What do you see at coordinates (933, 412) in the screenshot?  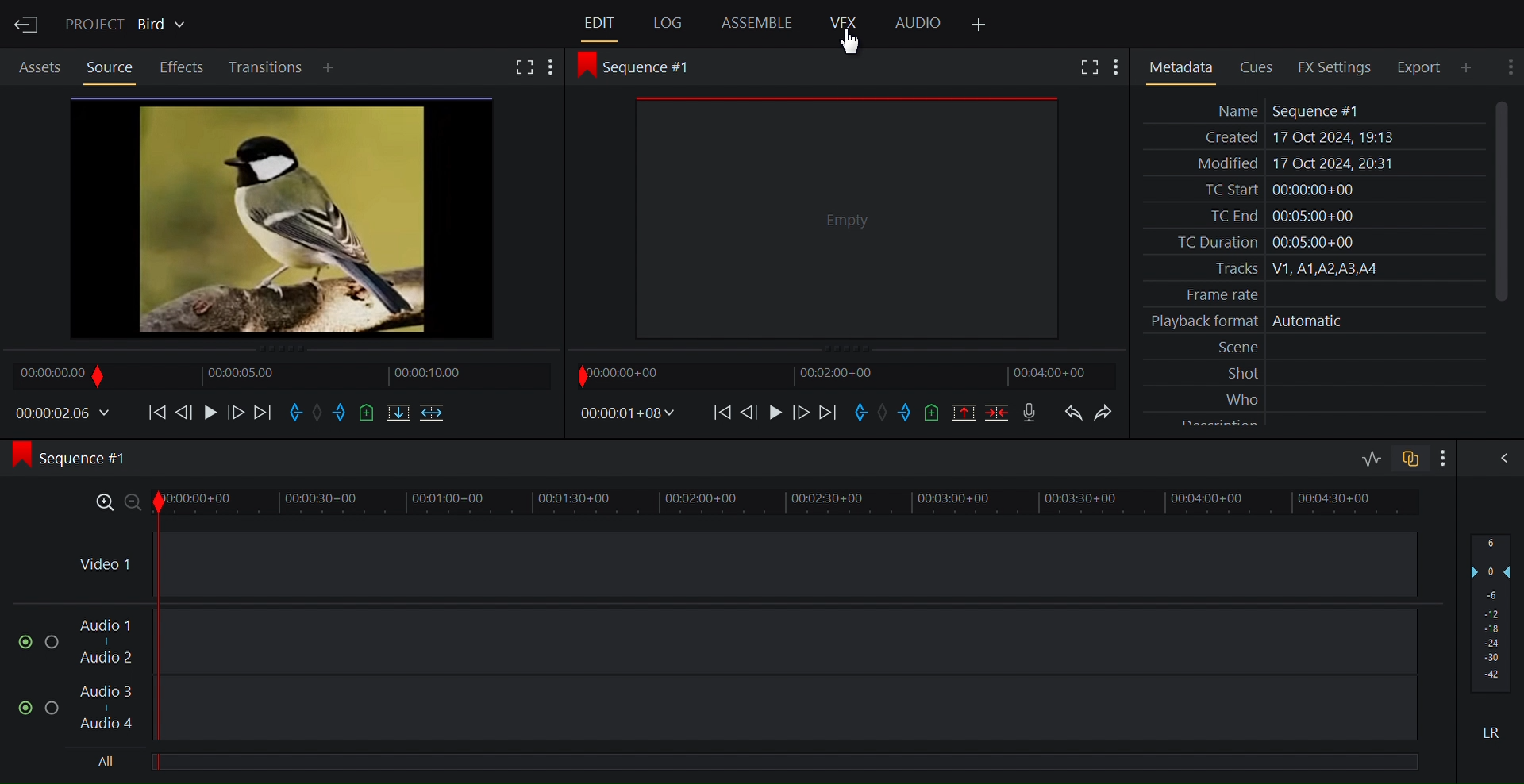 I see `Add a cue` at bounding box center [933, 412].